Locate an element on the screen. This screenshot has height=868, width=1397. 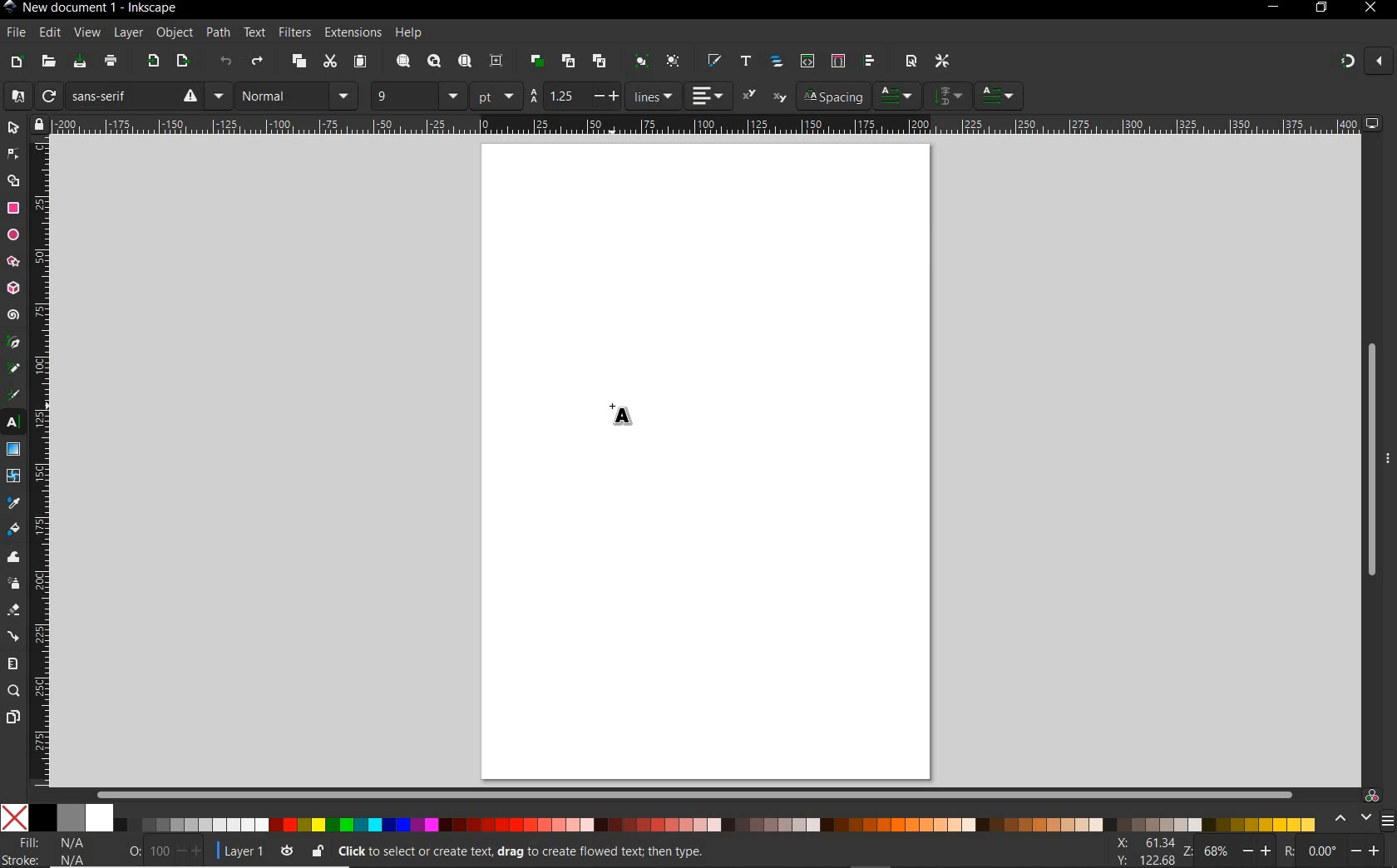
layer1 is located at coordinates (239, 848).